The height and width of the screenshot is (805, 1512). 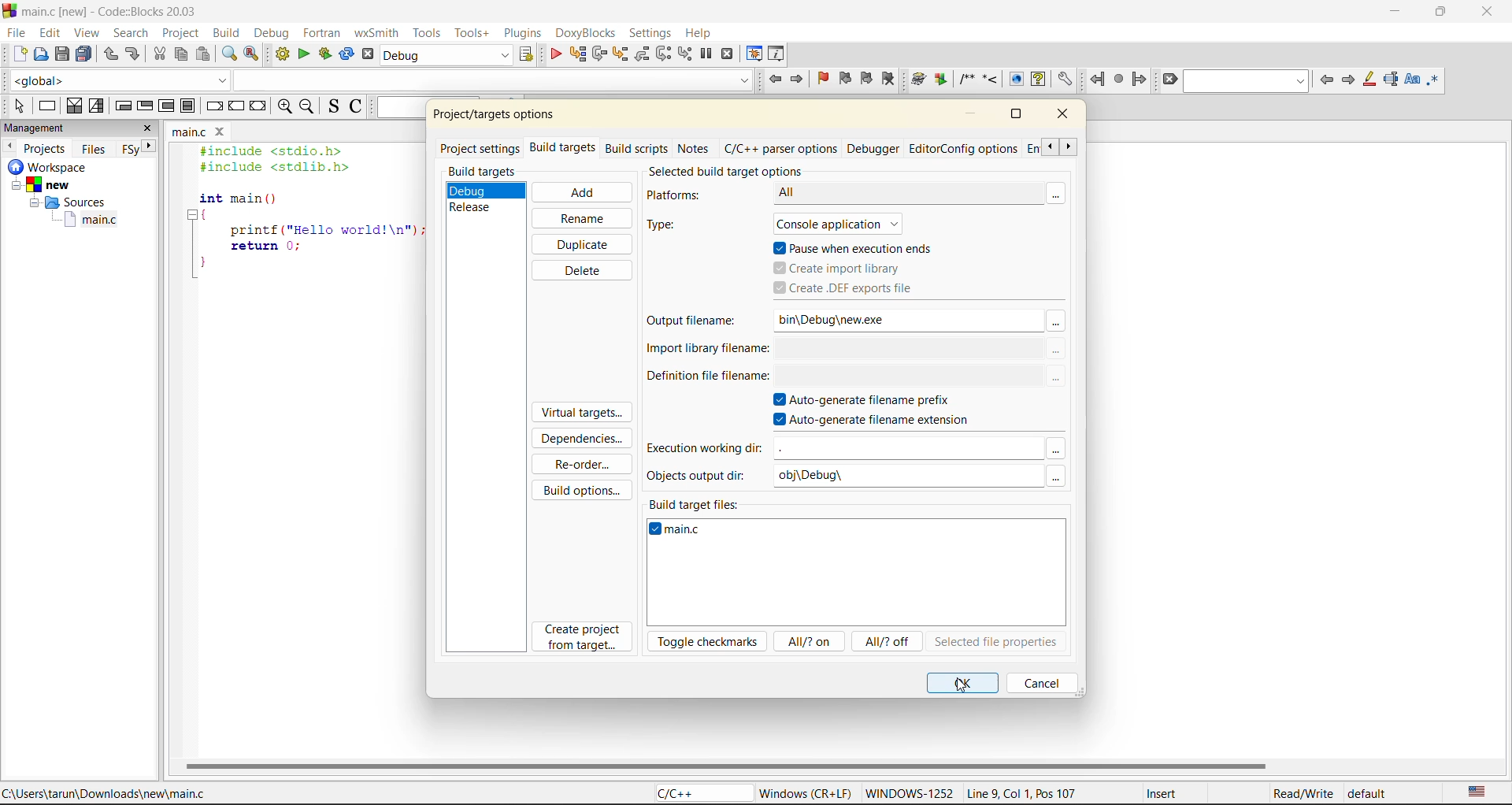 I want to click on clear bookmark, so click(x=888, y=78).